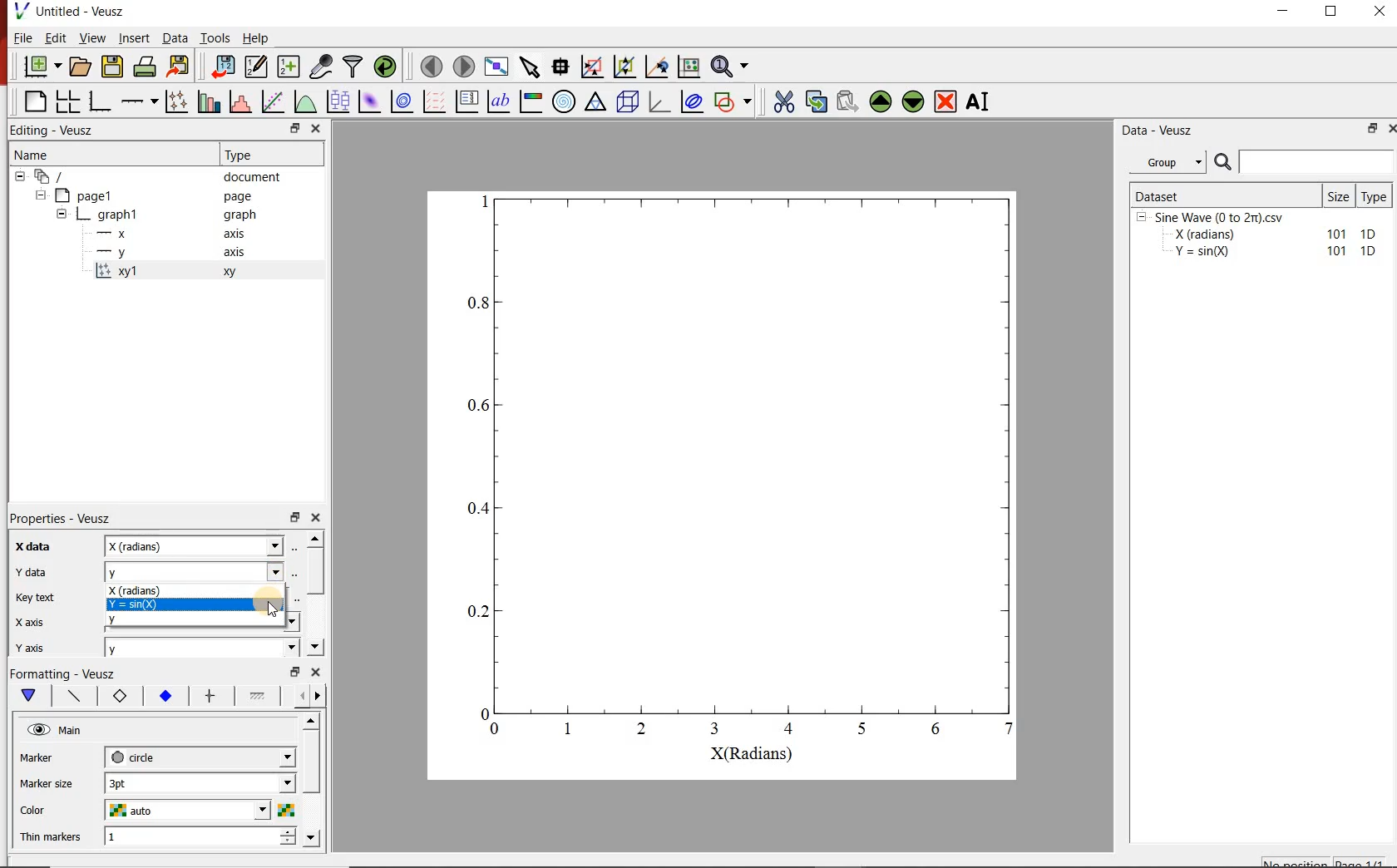 This screenshot has width=1397, height=868. I want to click on Blank page, so click(35, 101).